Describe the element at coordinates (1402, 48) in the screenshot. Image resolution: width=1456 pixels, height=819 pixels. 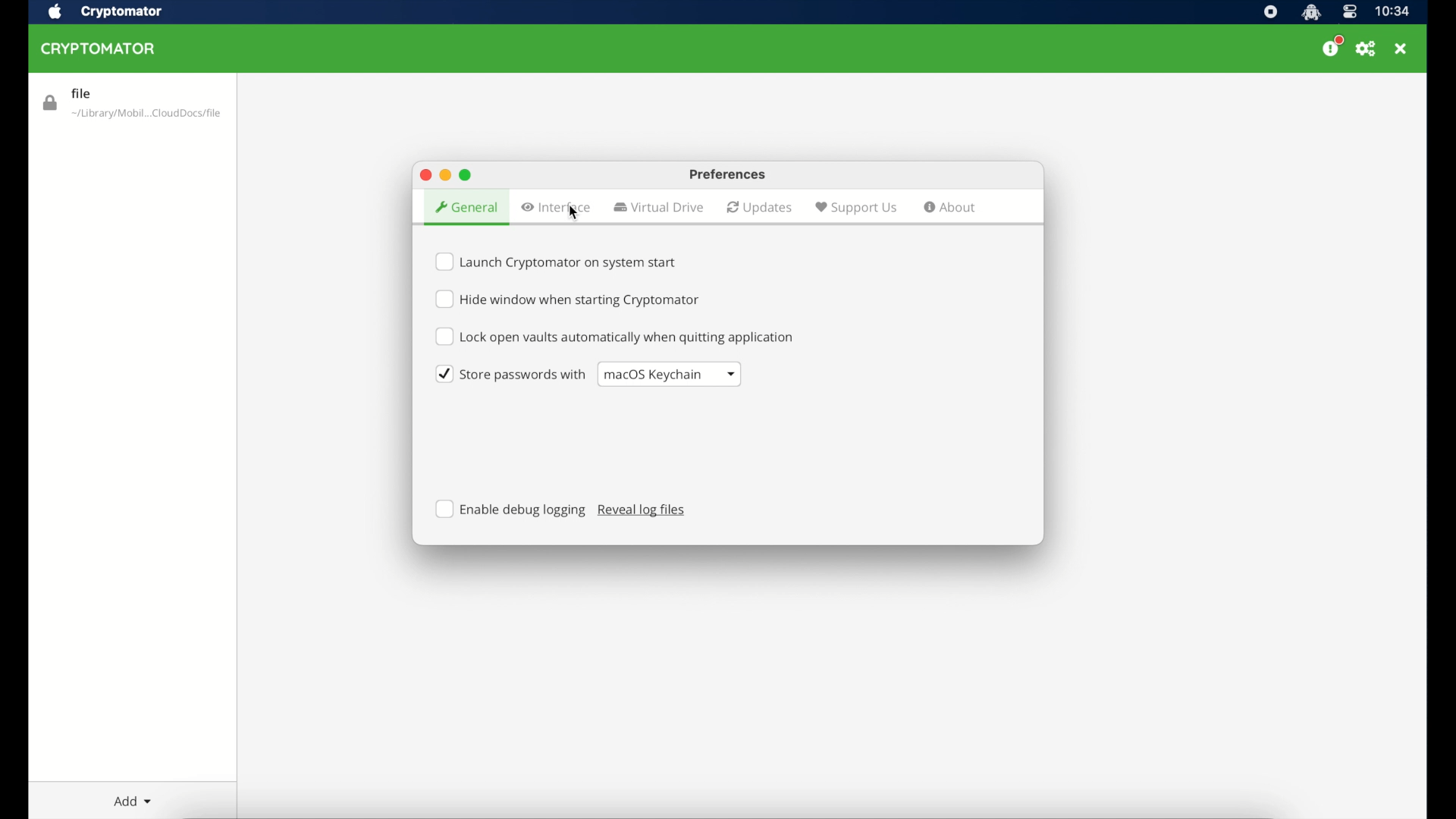
I see `close` at that location.